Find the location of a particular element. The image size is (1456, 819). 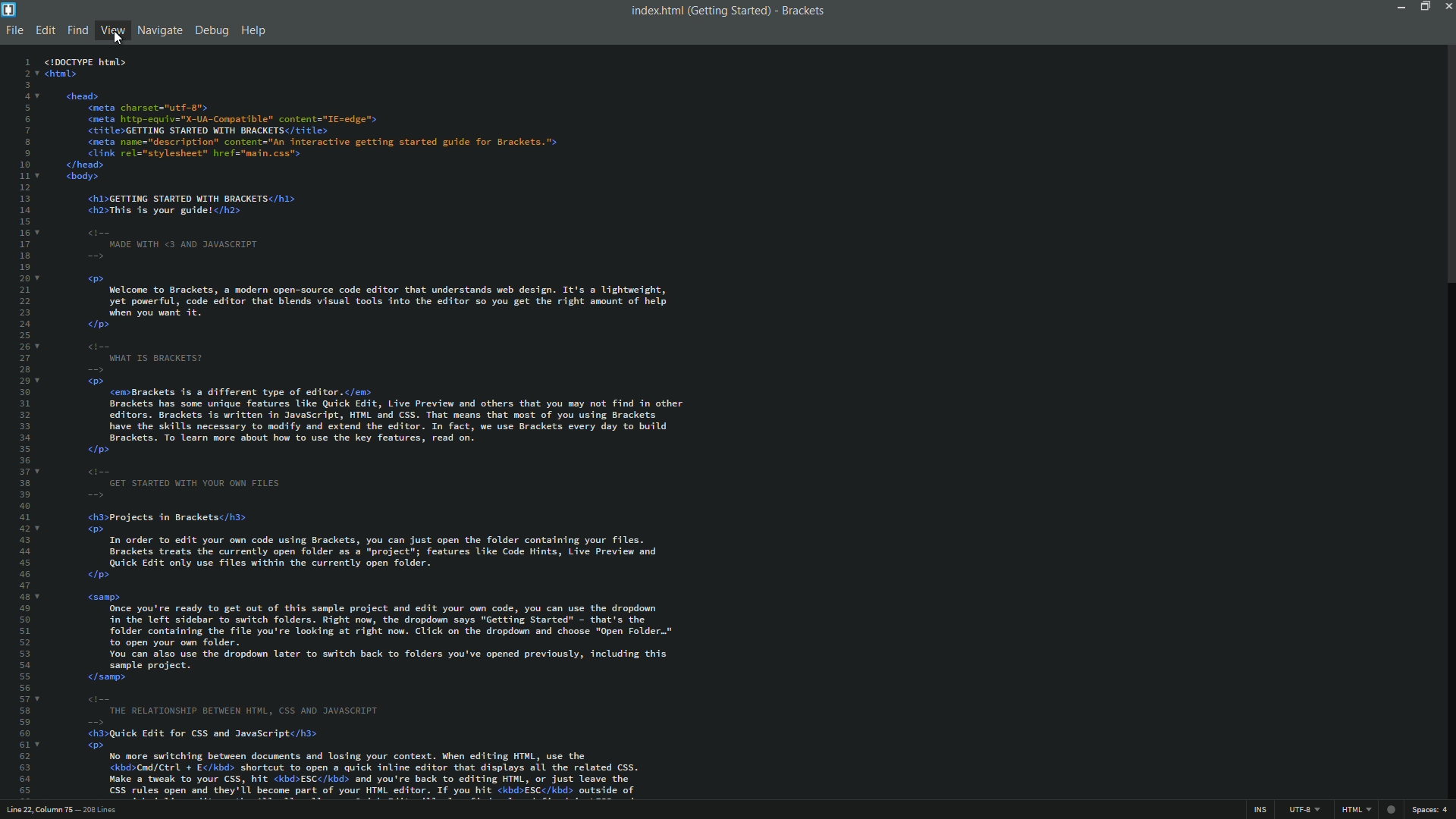

index.html (Getting Started) - Brackets is located at coordinates (723, 11).